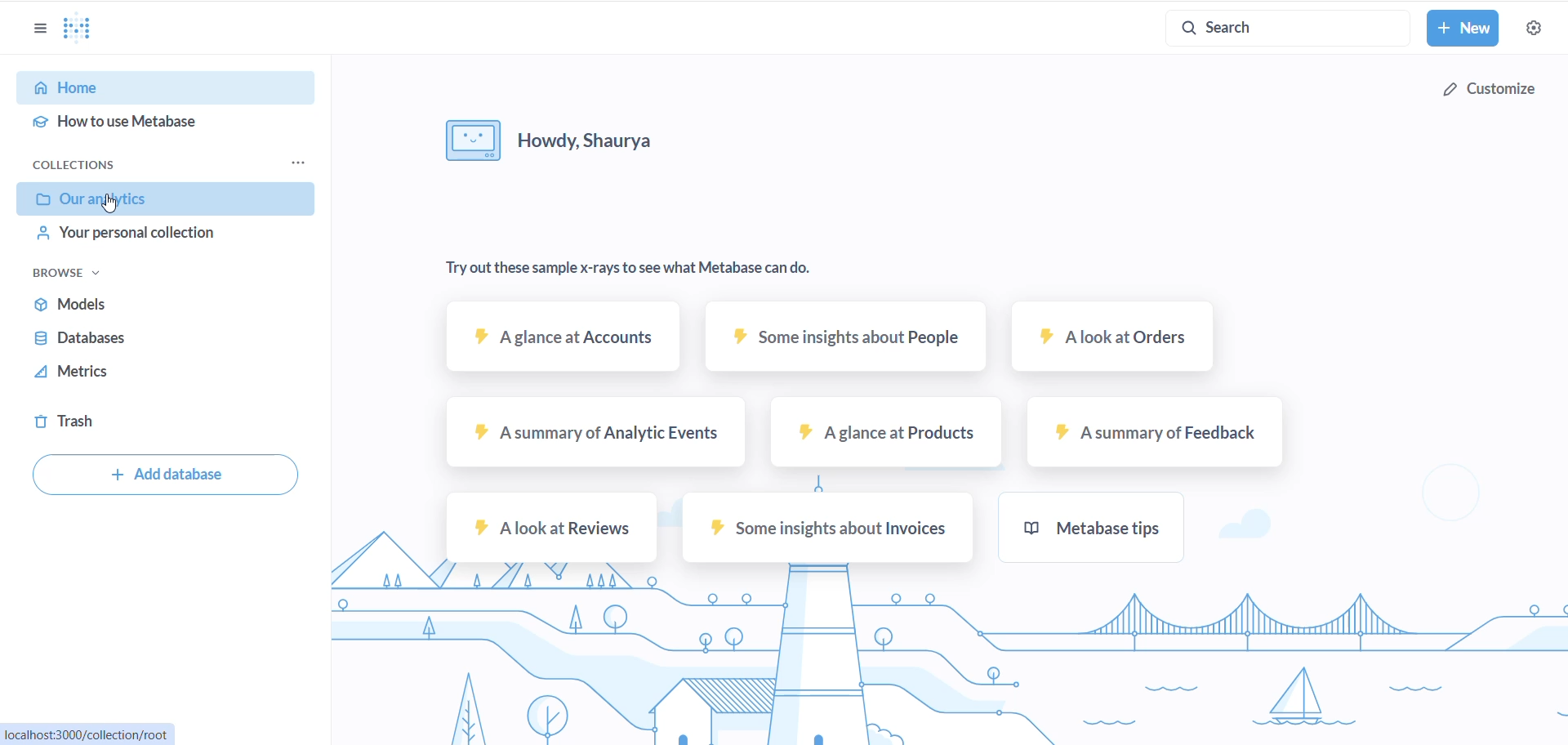  What do you see at coordinates (102, 375) in the screenshot?
I see `metrics ` at bounding box center [102, 375].